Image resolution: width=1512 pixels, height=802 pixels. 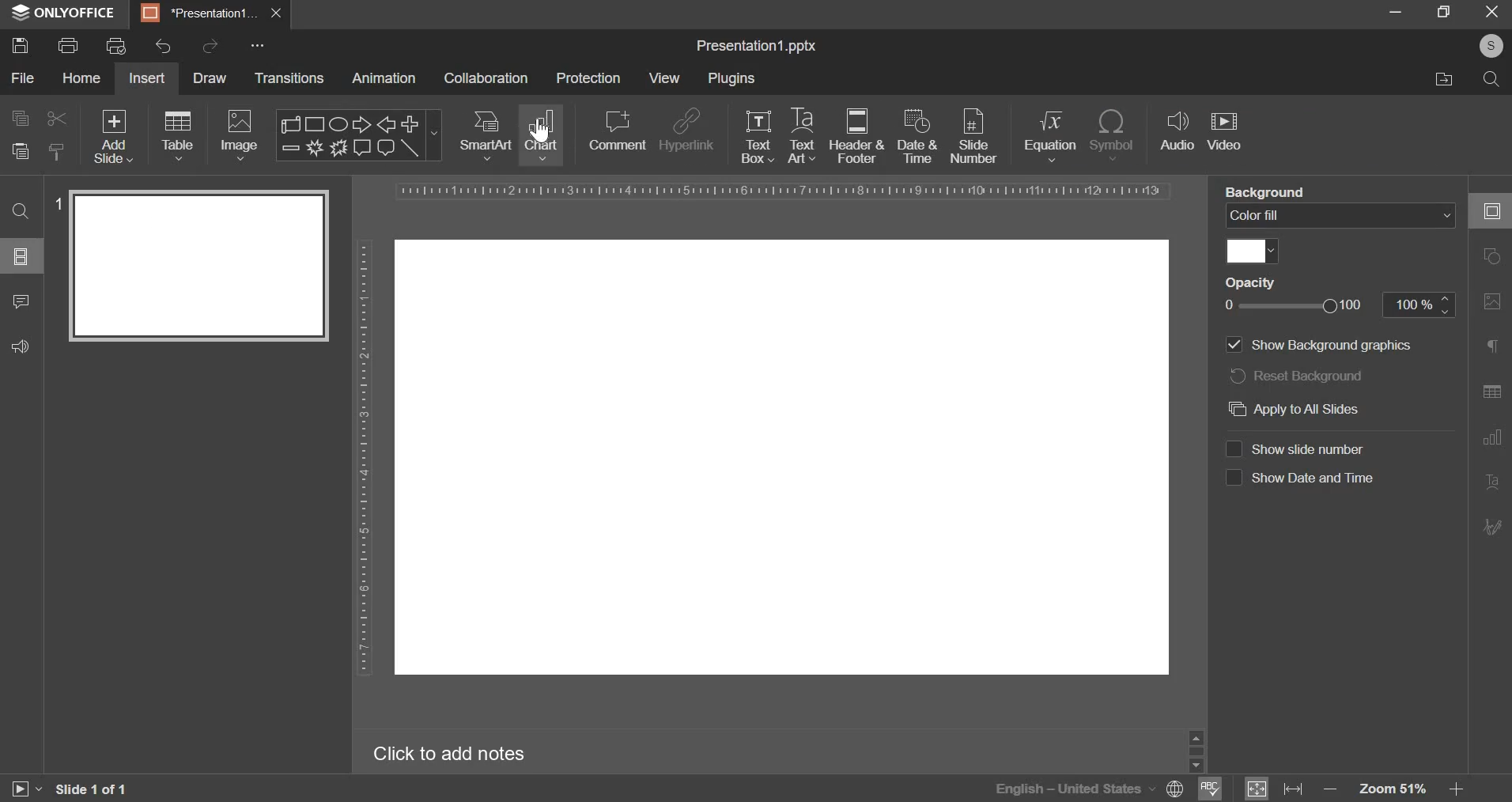 What do you see at coordinates (1457, 790) in the screenshot?
I see `zoom in` at bounding box center [1457, 790].